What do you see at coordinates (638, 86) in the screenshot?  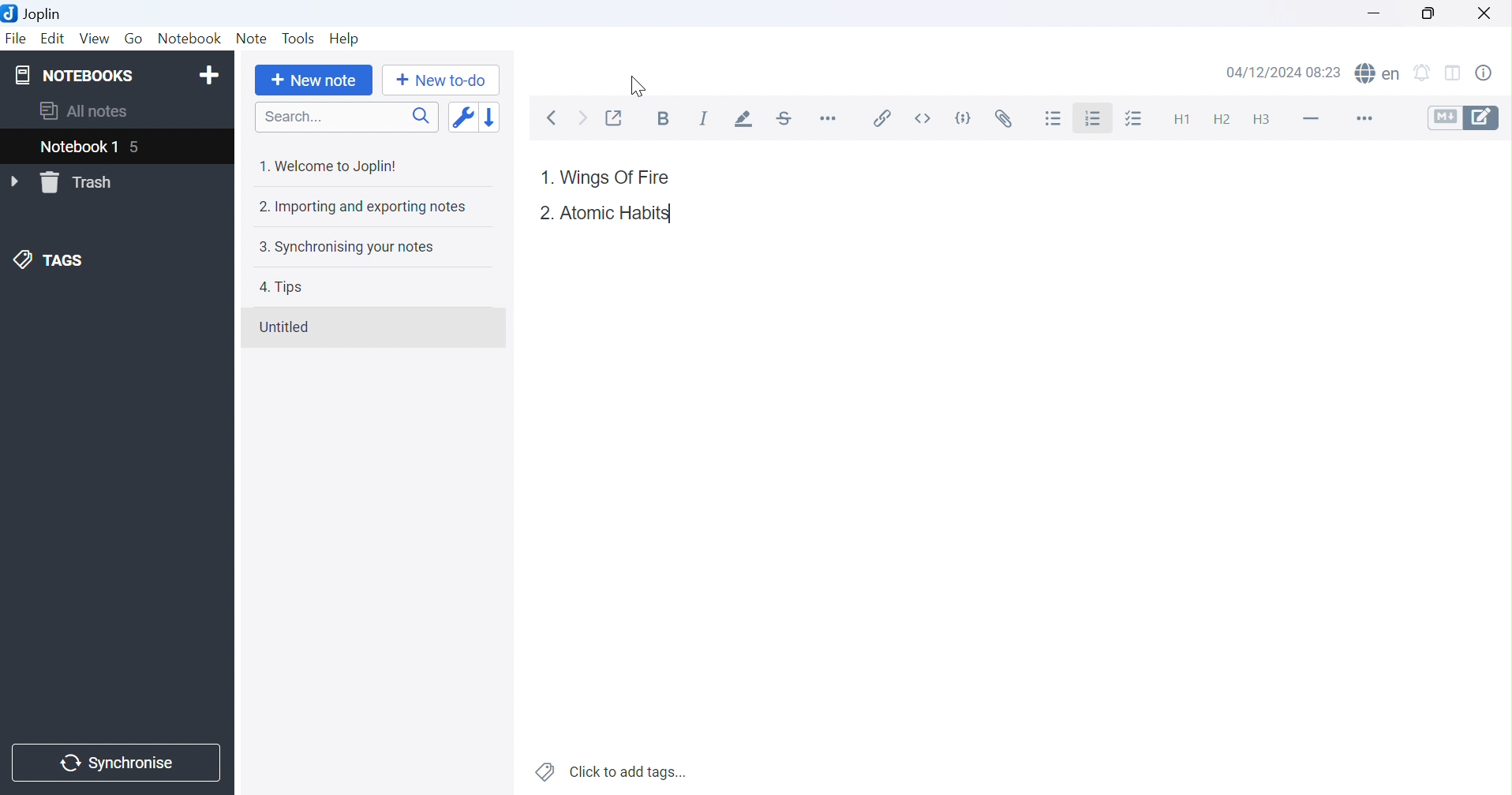 I see `Cursor` at bounding box center [638, 86].